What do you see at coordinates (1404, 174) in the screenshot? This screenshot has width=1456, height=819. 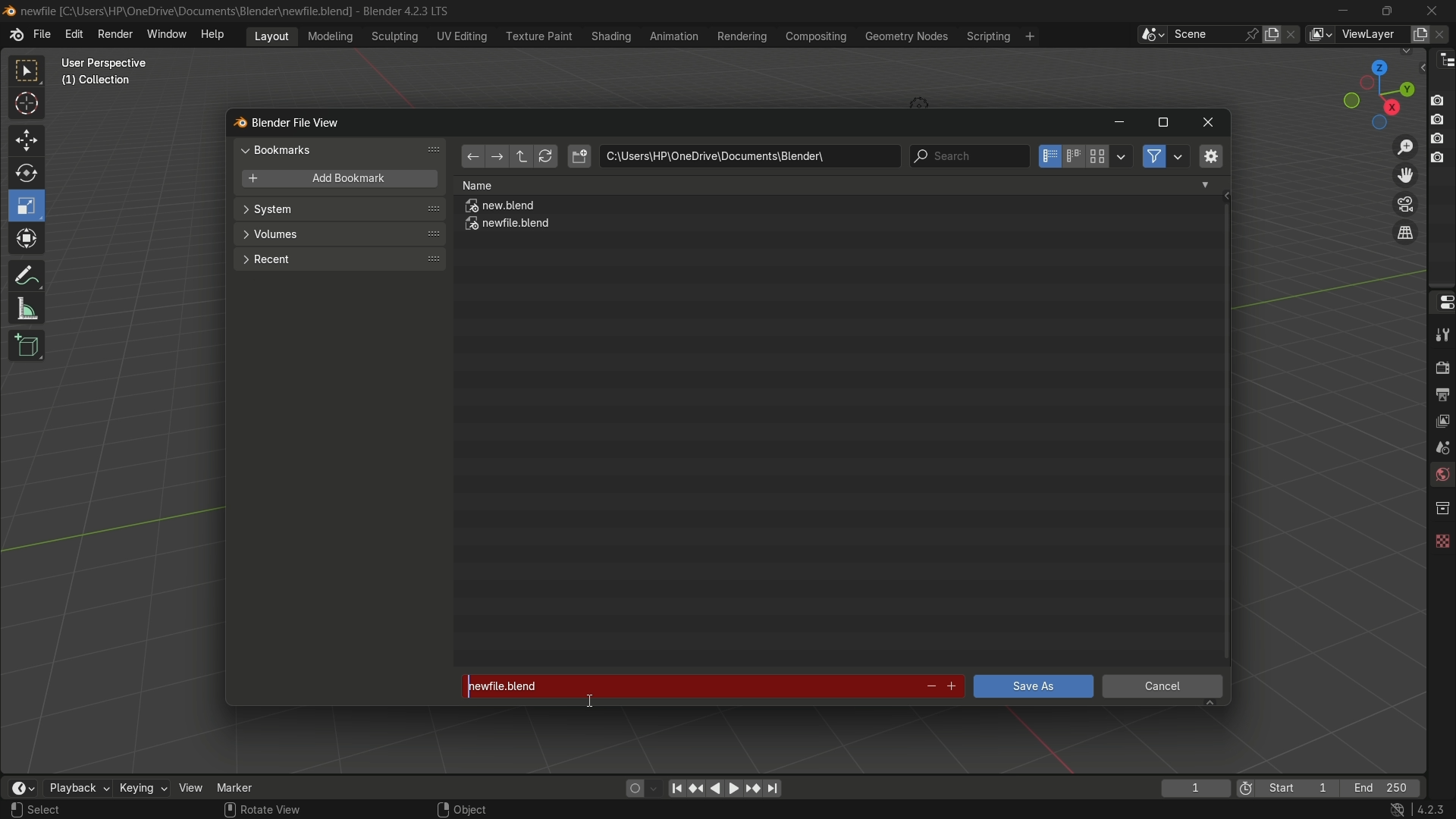 I see `move view layer` at bounding box center [1404, 174].